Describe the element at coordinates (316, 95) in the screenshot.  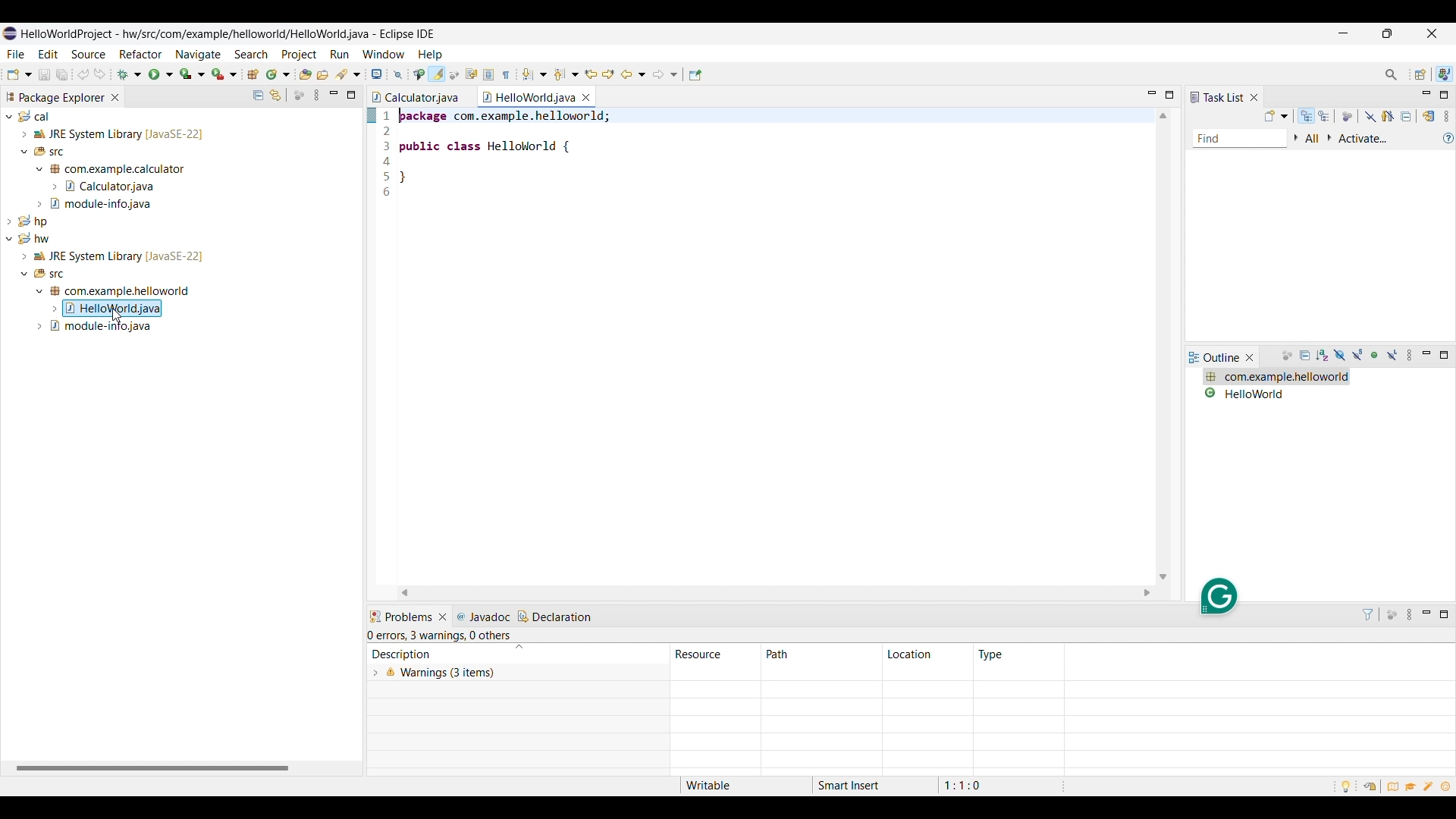
I see `View menu` at that location.